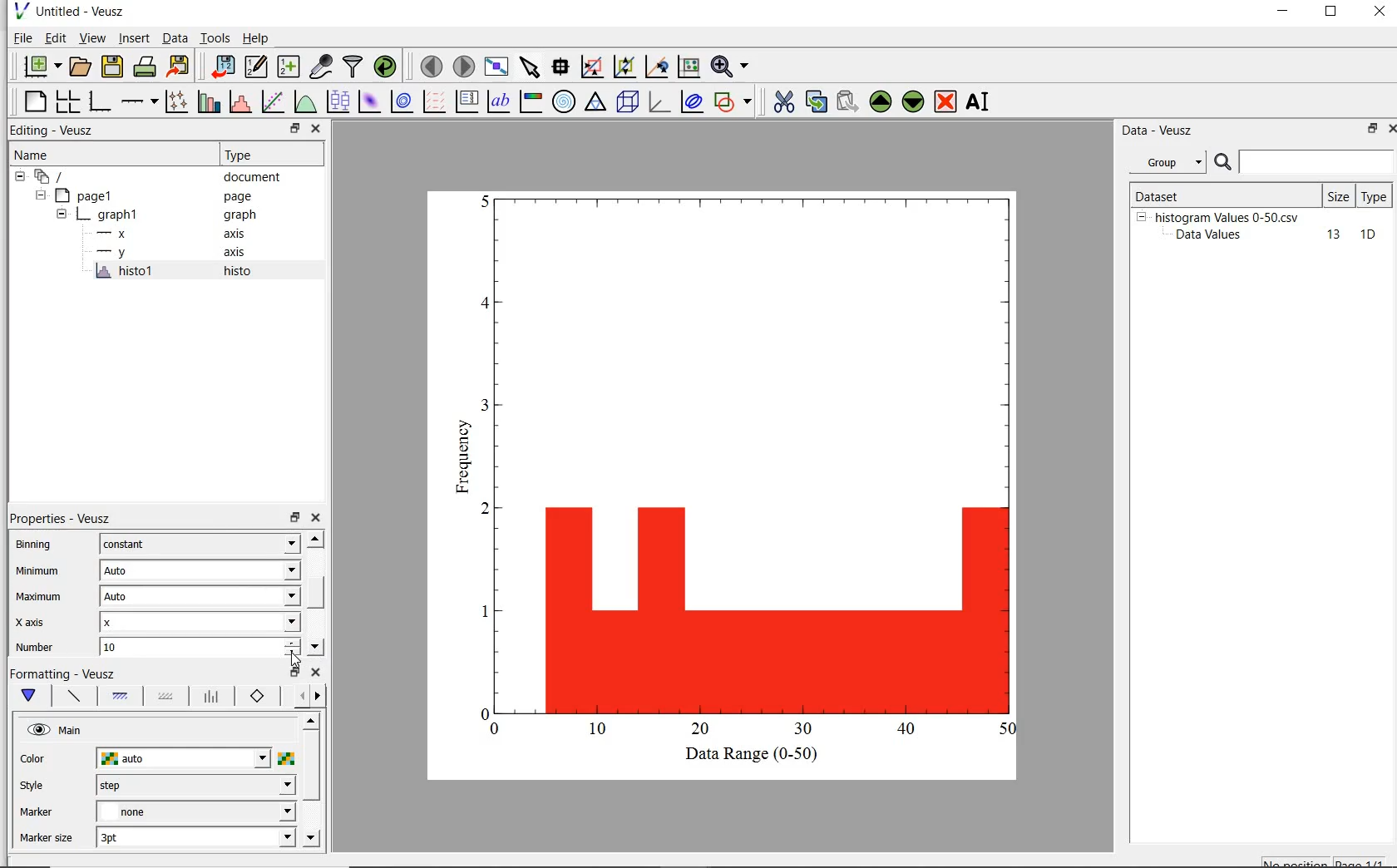  Describe the element at coordinates (293, 654) in the screenshot. I see `decrease number` at that location.